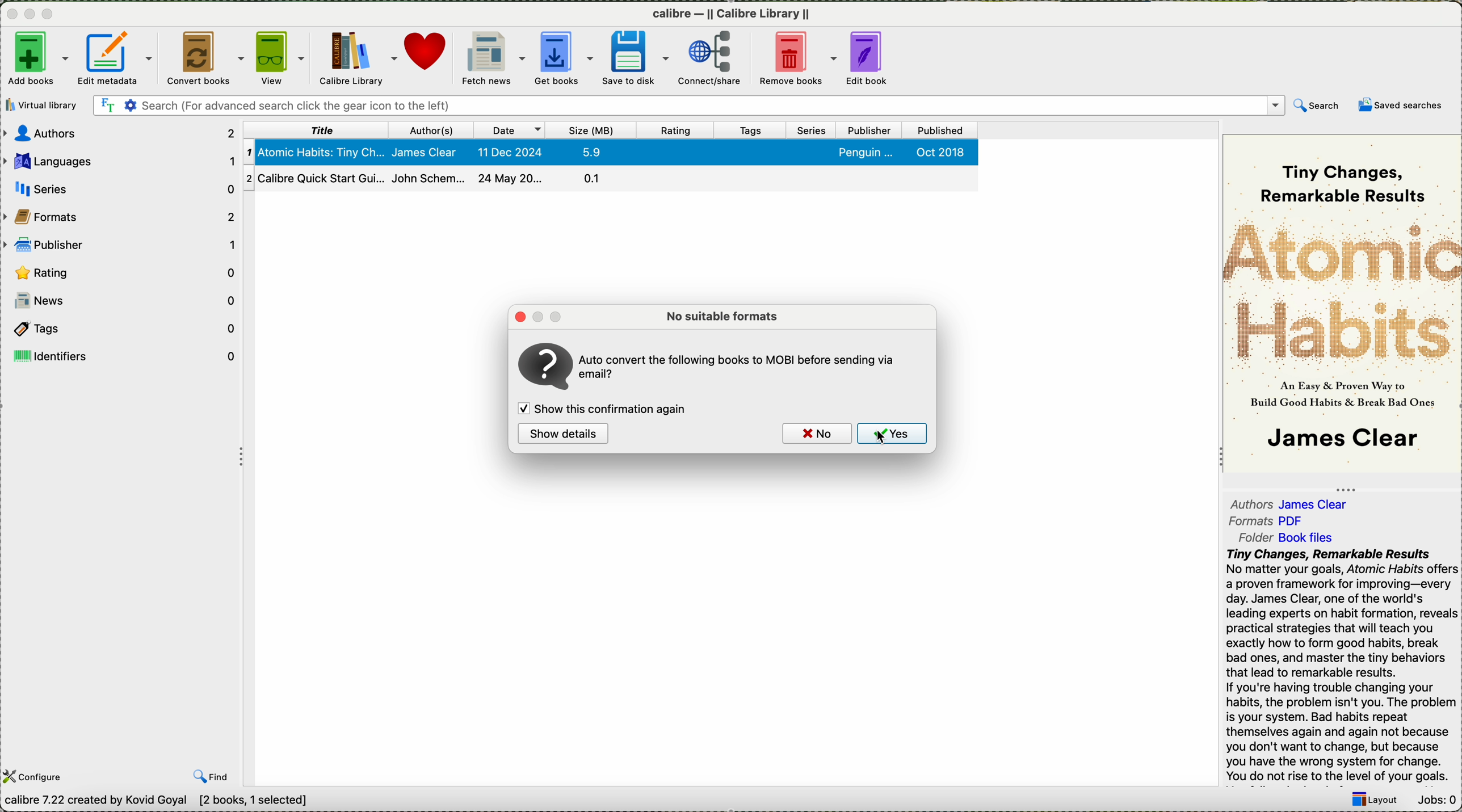 The image size is (1462, 812). What do you see at coordinates (1342, 665) in the screenshot?
I see `summary` at bounding box center [1342, 665].